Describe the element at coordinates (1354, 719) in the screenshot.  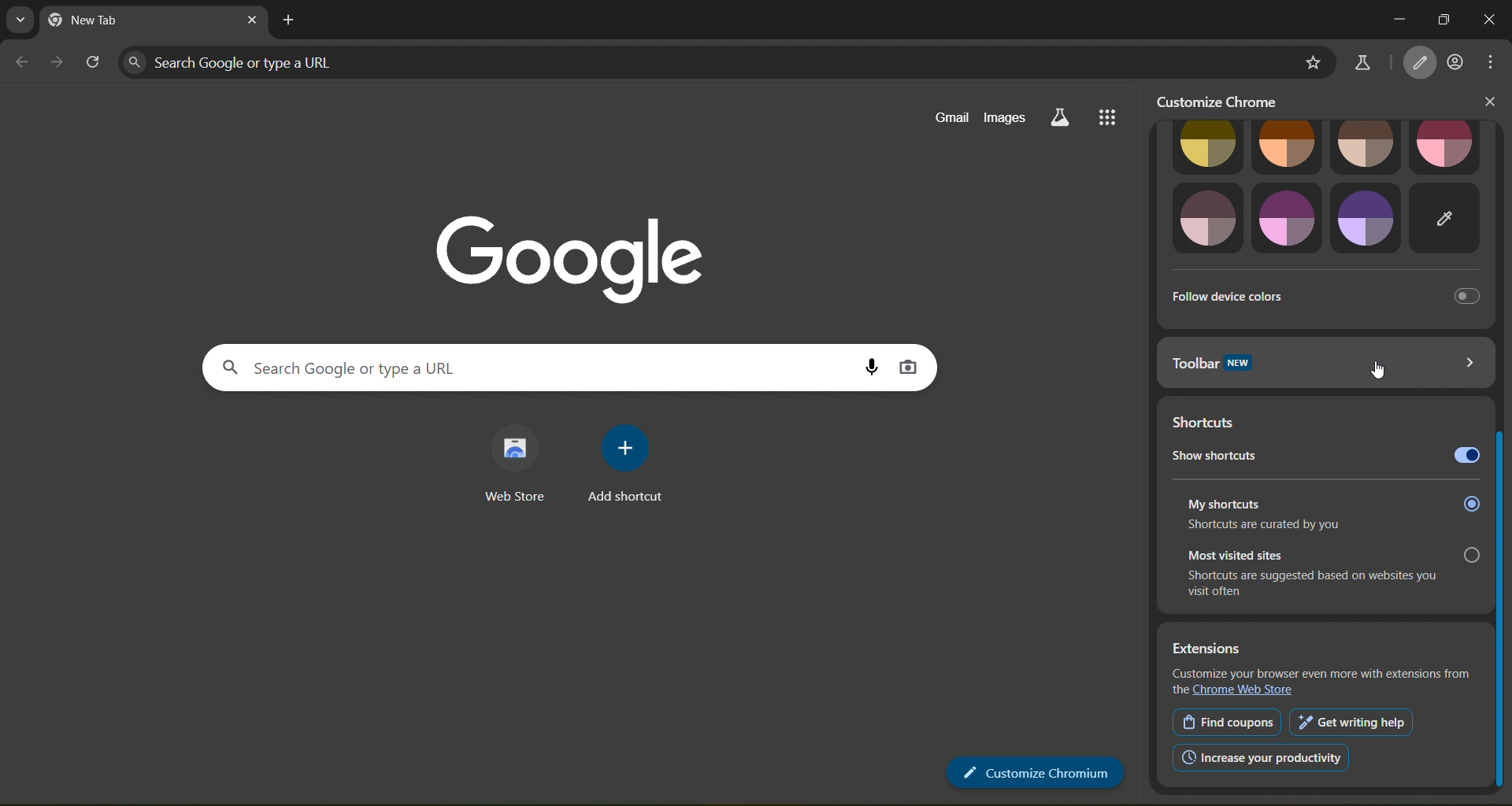
I see `get writing help` at that location.